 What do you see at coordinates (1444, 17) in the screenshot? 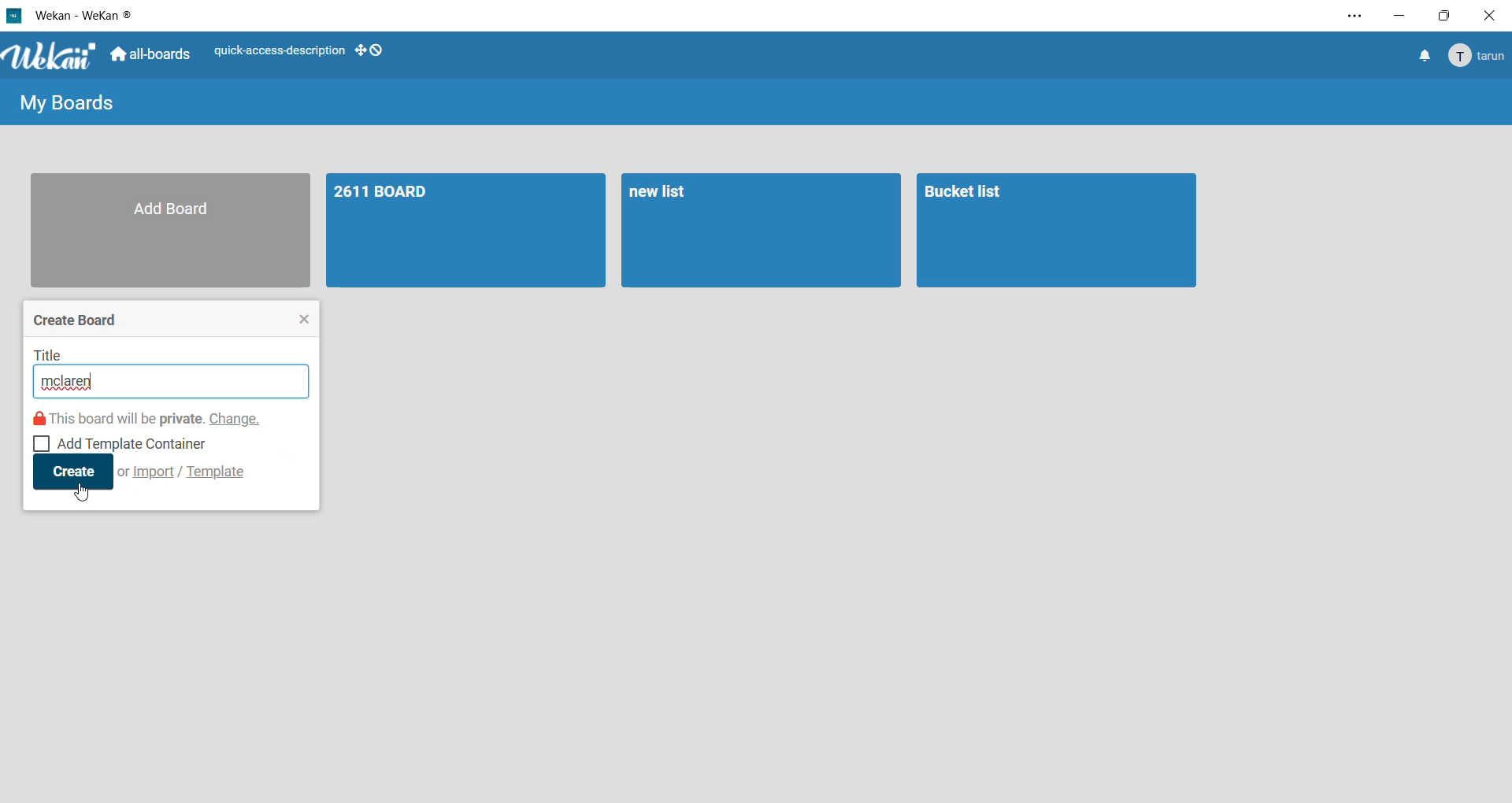
I see `maximize` at bounding box center [1444, 17].